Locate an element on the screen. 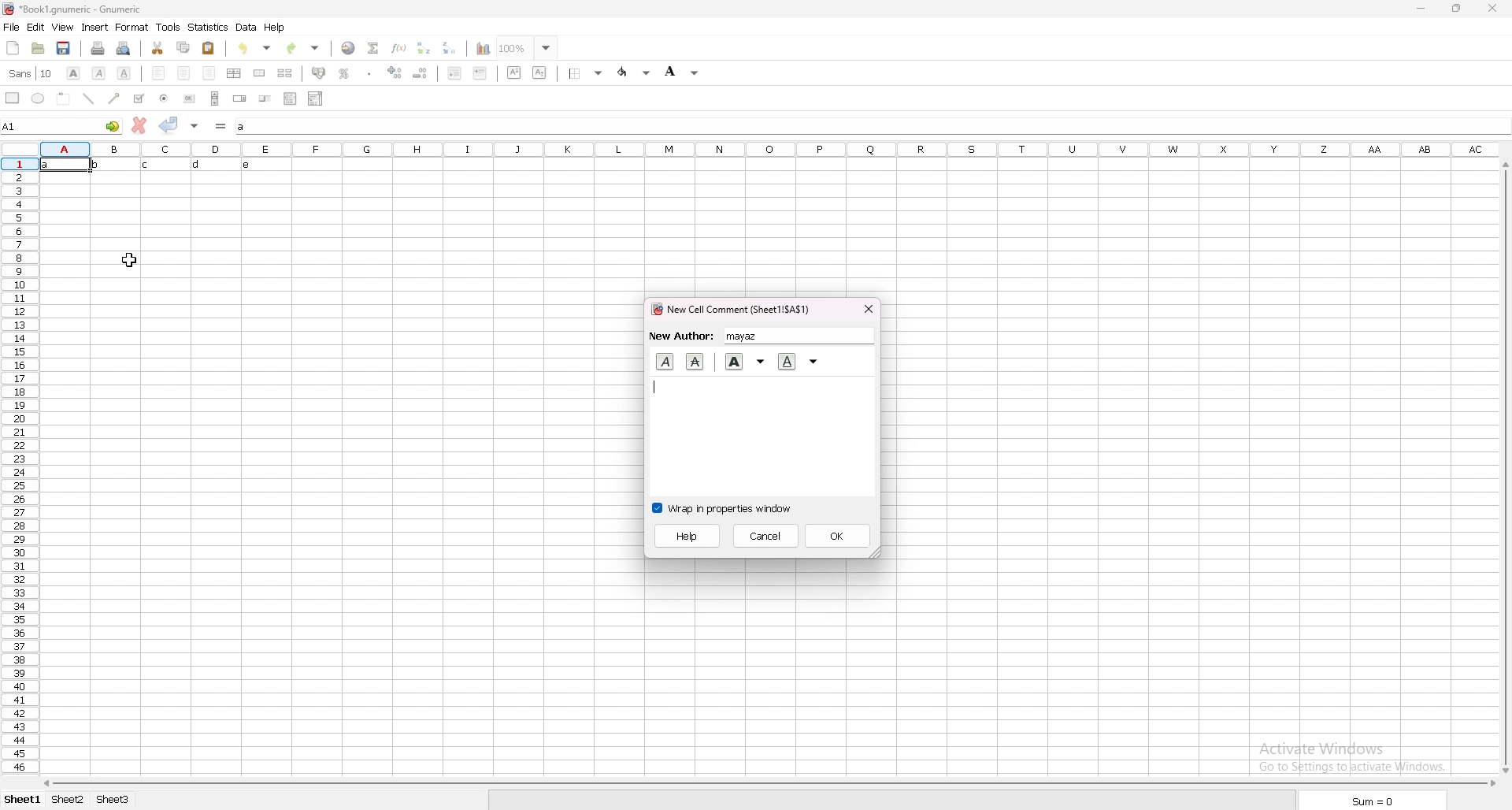 The height and width of the screenshot is (810, 1512). sort ascending is located at coordinates (424, 49).